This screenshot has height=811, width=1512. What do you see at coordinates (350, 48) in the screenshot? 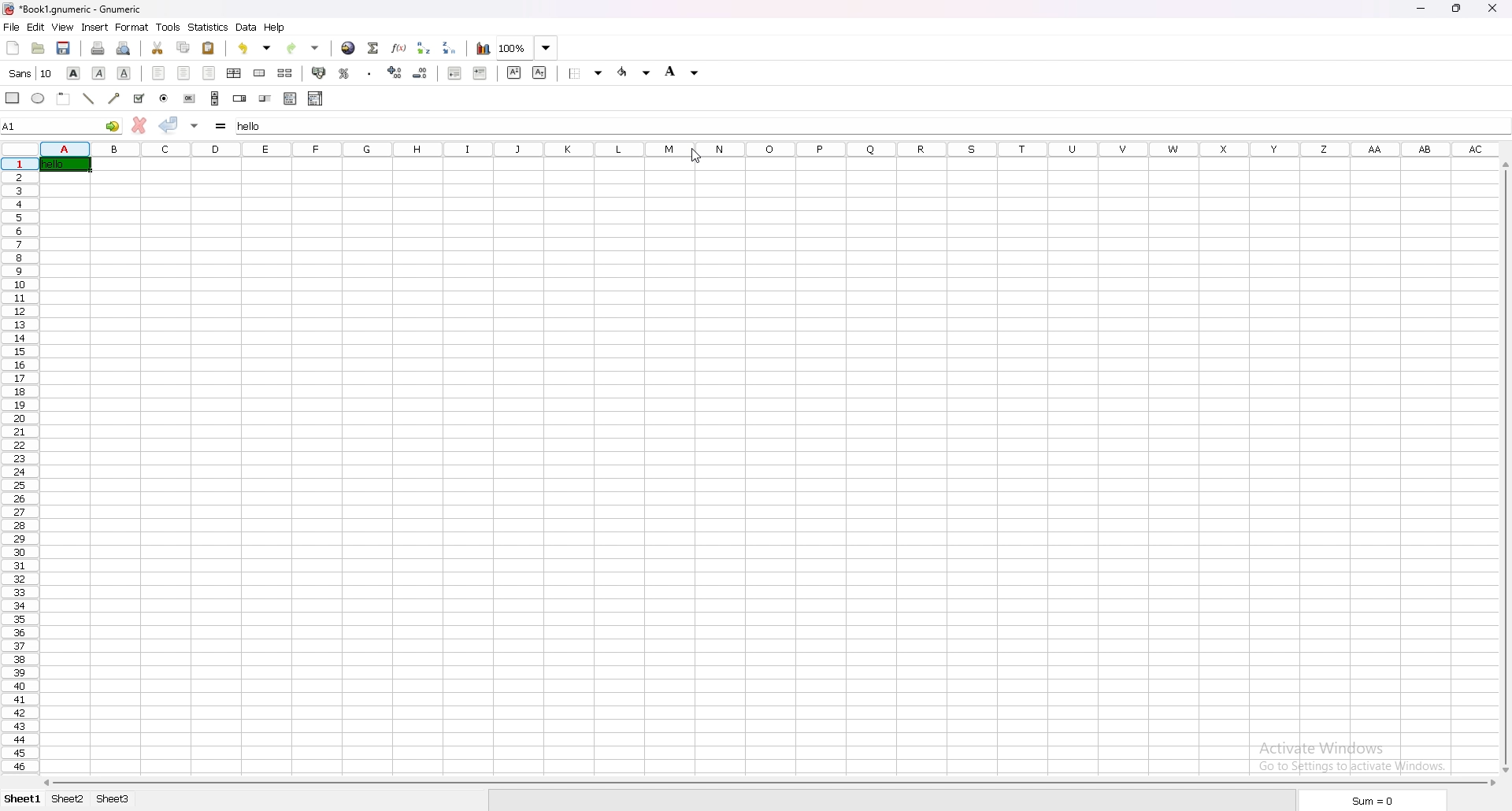
I see `hyperlink` at bounding box center [350, 48].